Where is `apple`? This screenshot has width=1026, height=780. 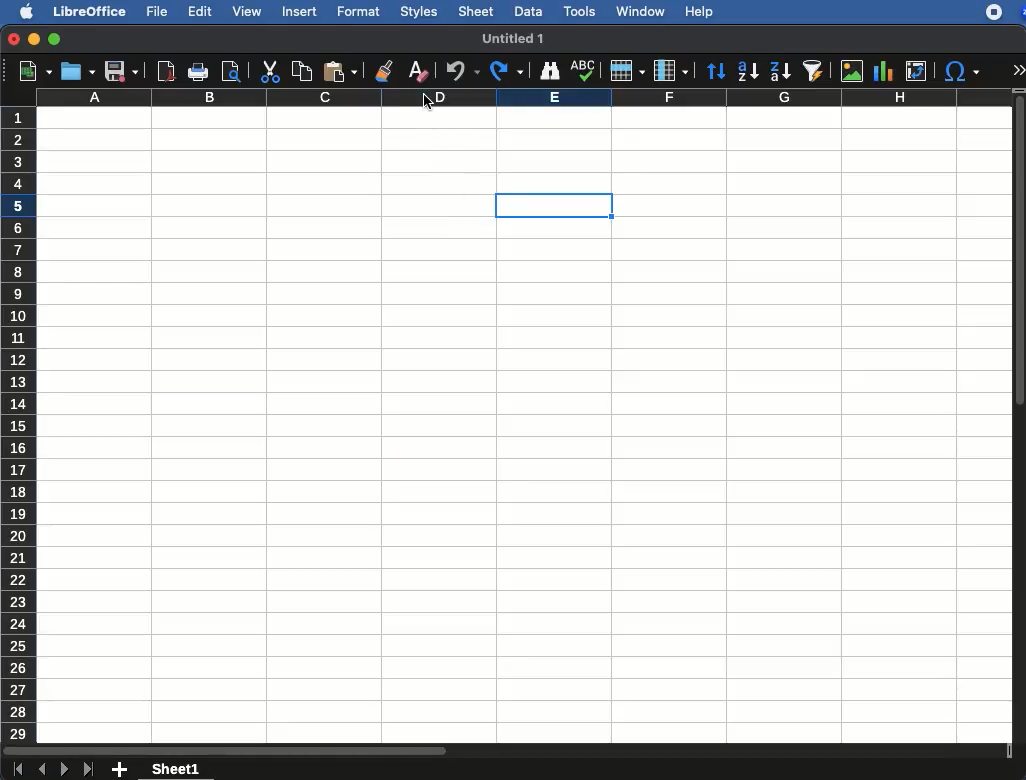
apple is located at coordinates (20, 12).